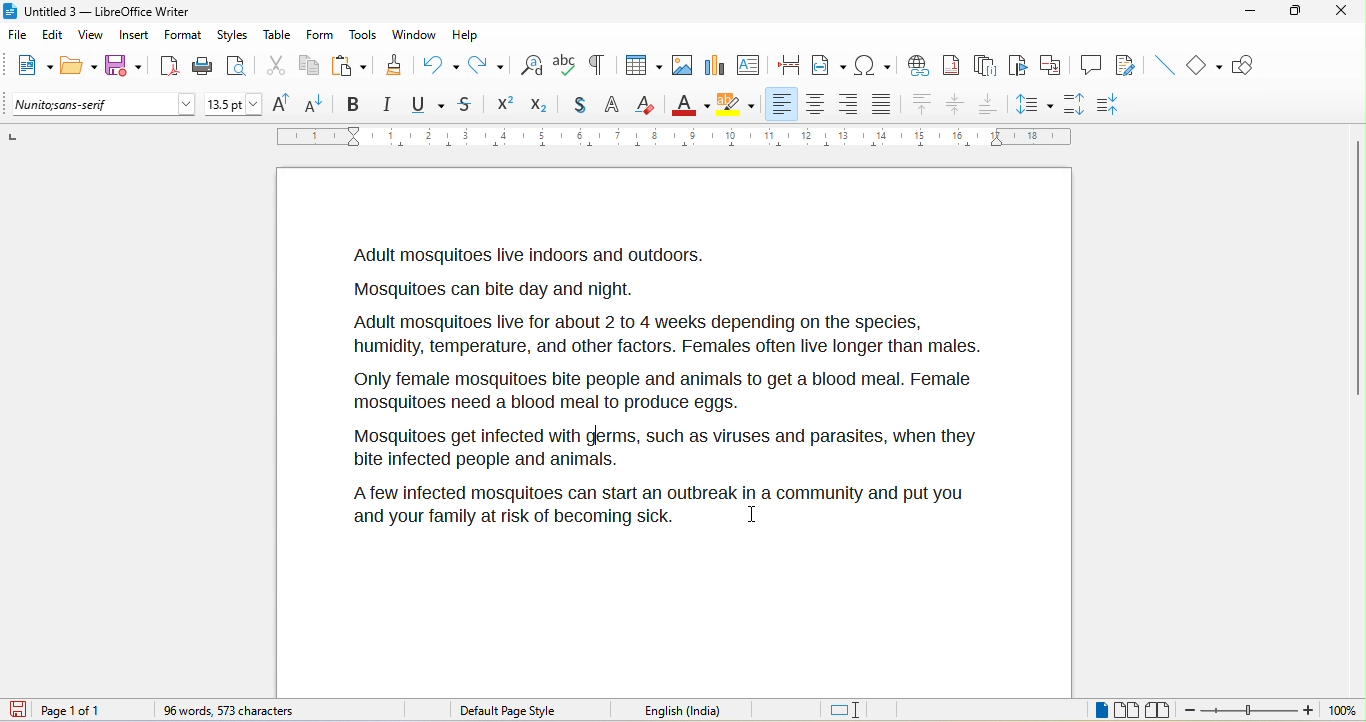 The width and height of the screenshot is (1366, 722). I want to click on file, so click(18, 36).